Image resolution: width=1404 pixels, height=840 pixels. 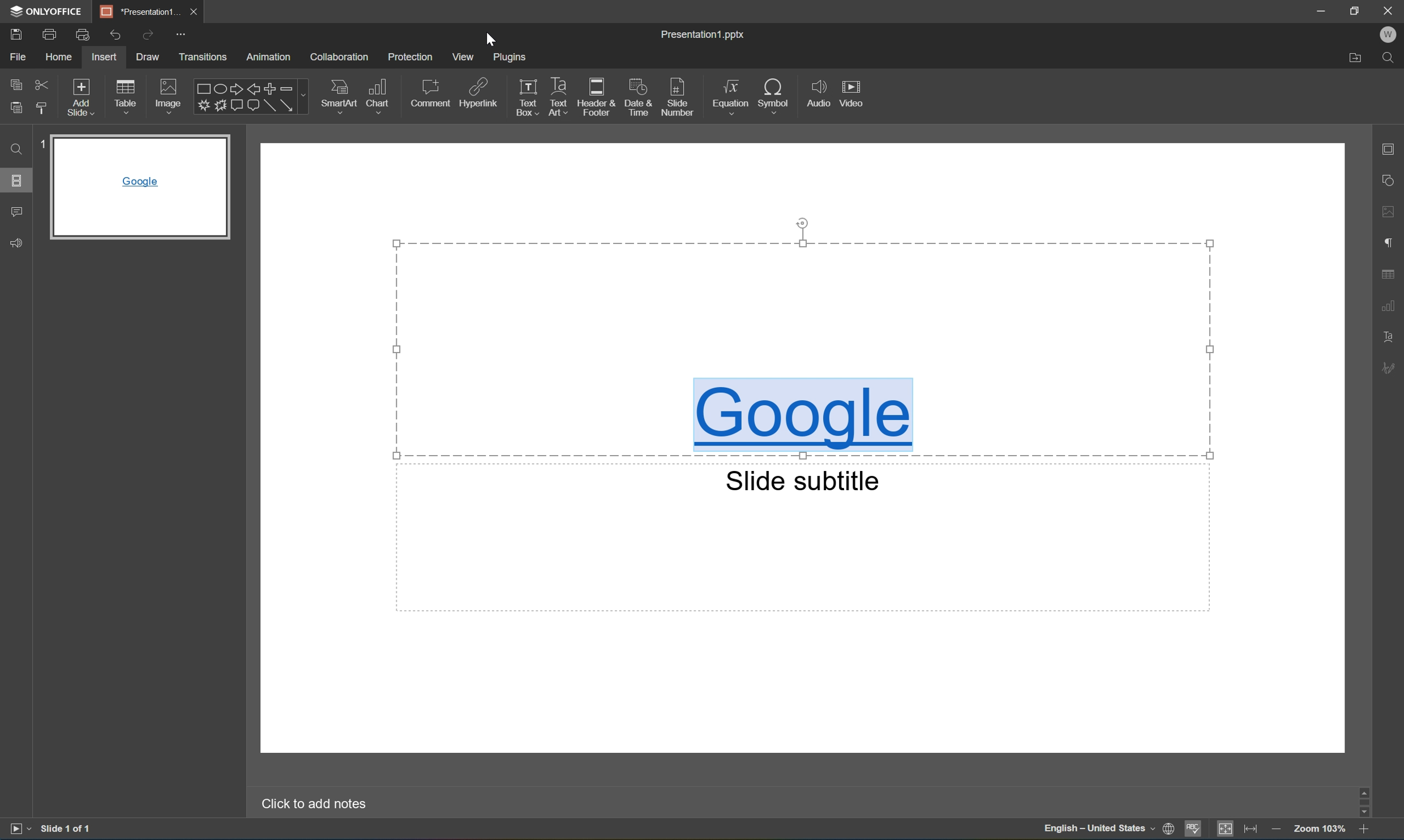 What do you see at coordinates (803, 479) in the screenshot?
I see `Slide subtitle` at bounding box center [803, 479].